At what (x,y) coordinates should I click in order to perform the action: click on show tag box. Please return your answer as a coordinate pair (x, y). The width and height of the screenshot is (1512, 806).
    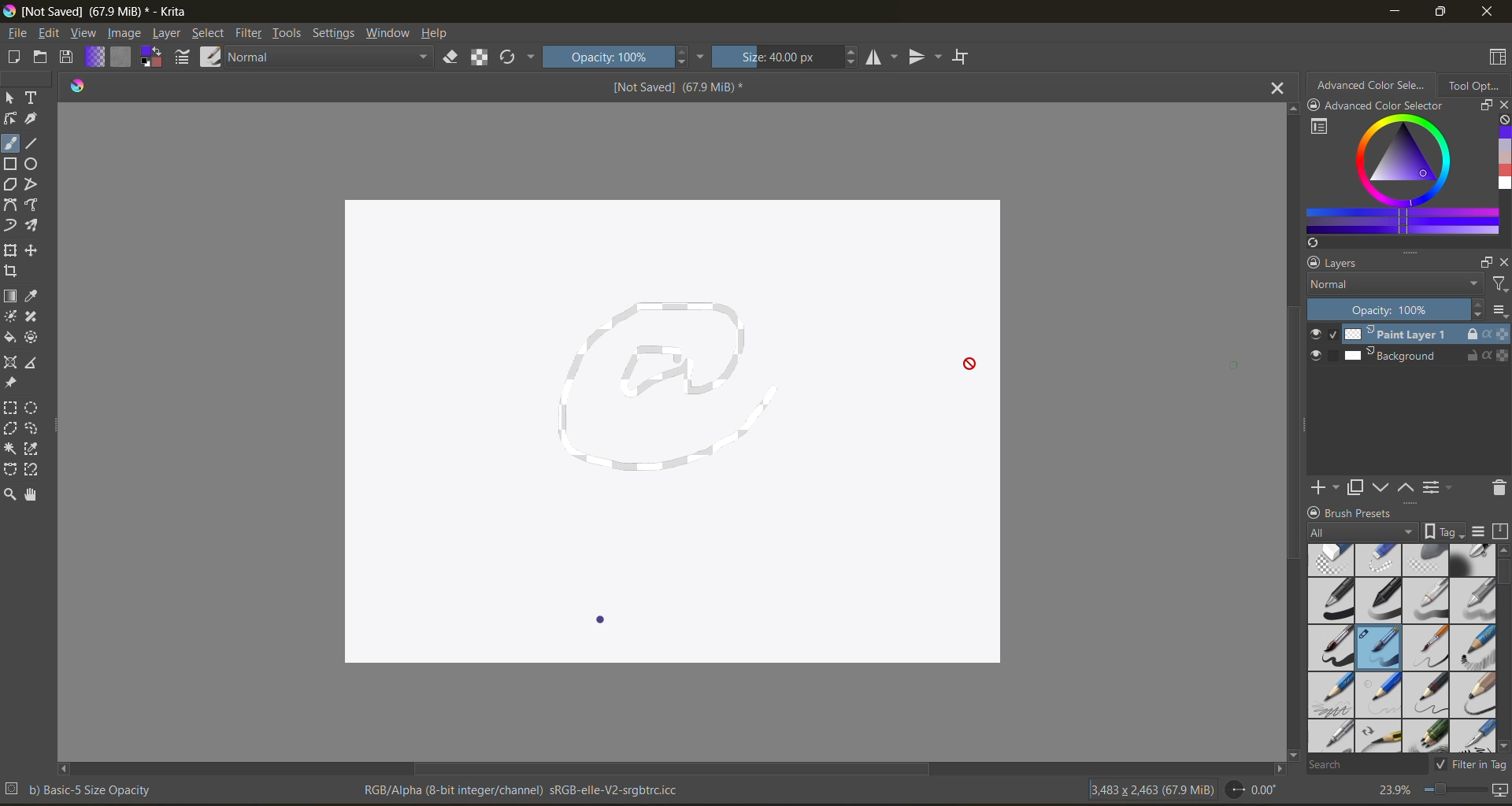
    Looking at the image, I should click on (1443, 531).